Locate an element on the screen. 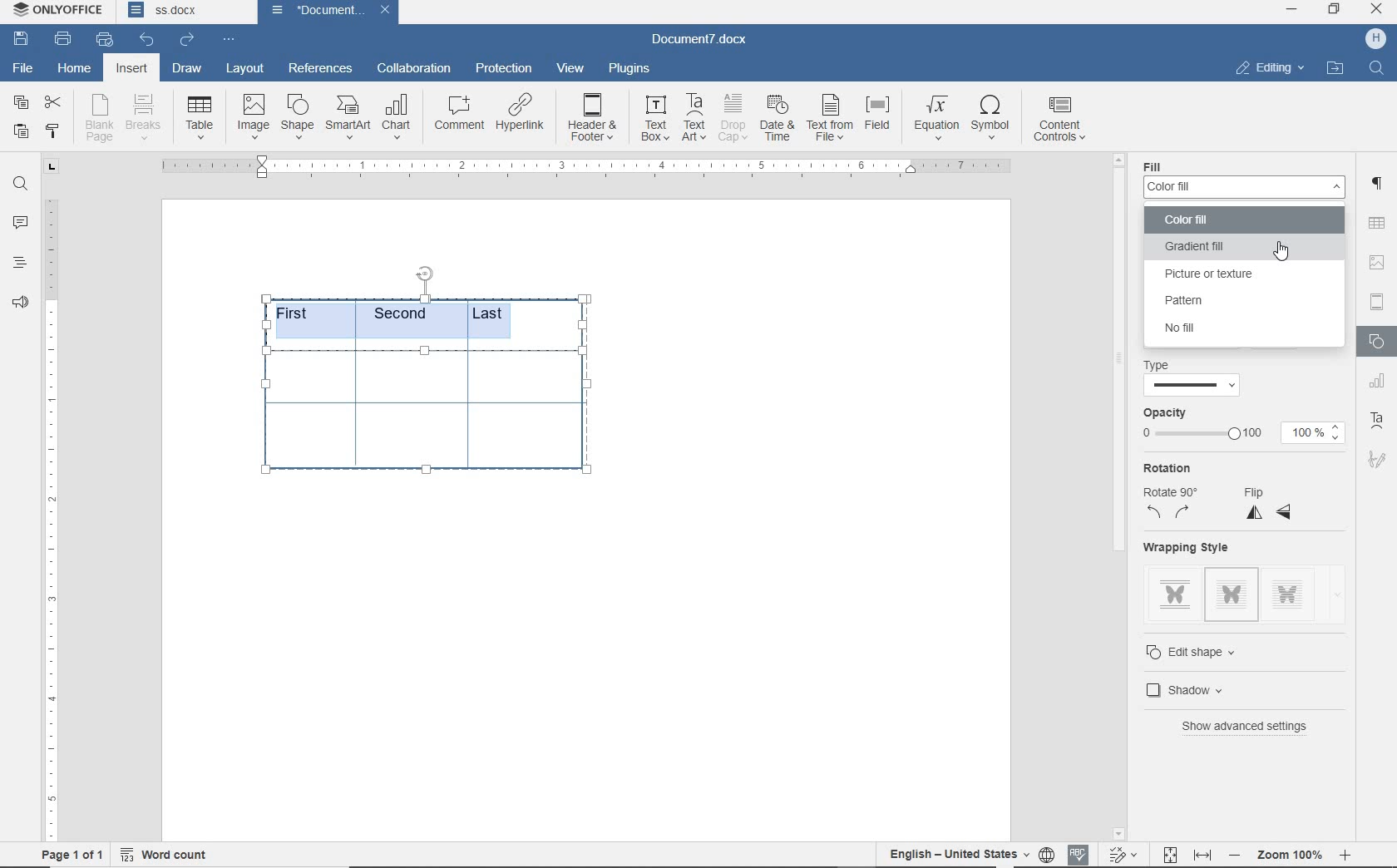  position table is located at coordinates (424, 272).